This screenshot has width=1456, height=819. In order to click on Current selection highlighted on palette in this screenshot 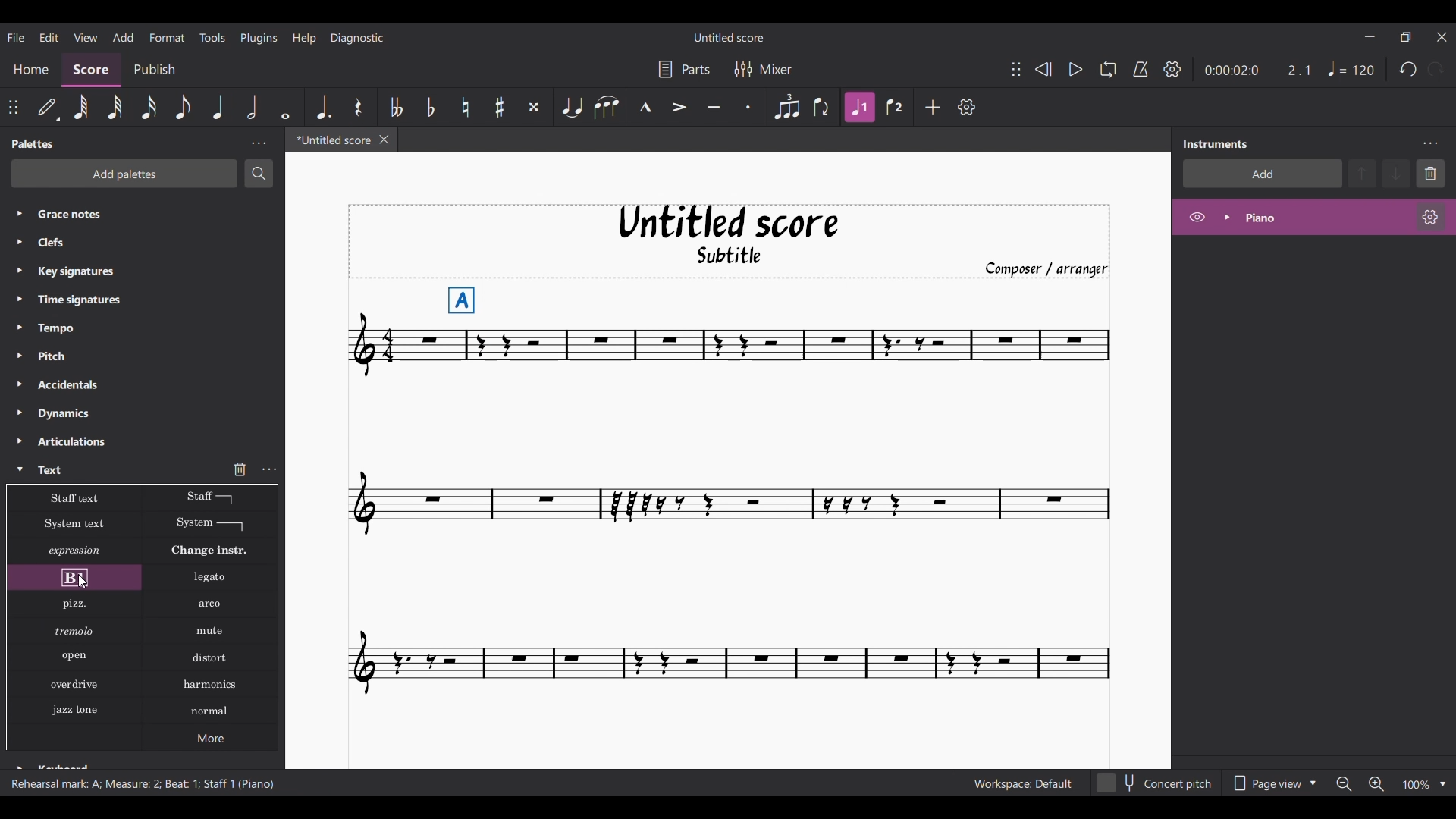, I will do `click(74, 578)`.